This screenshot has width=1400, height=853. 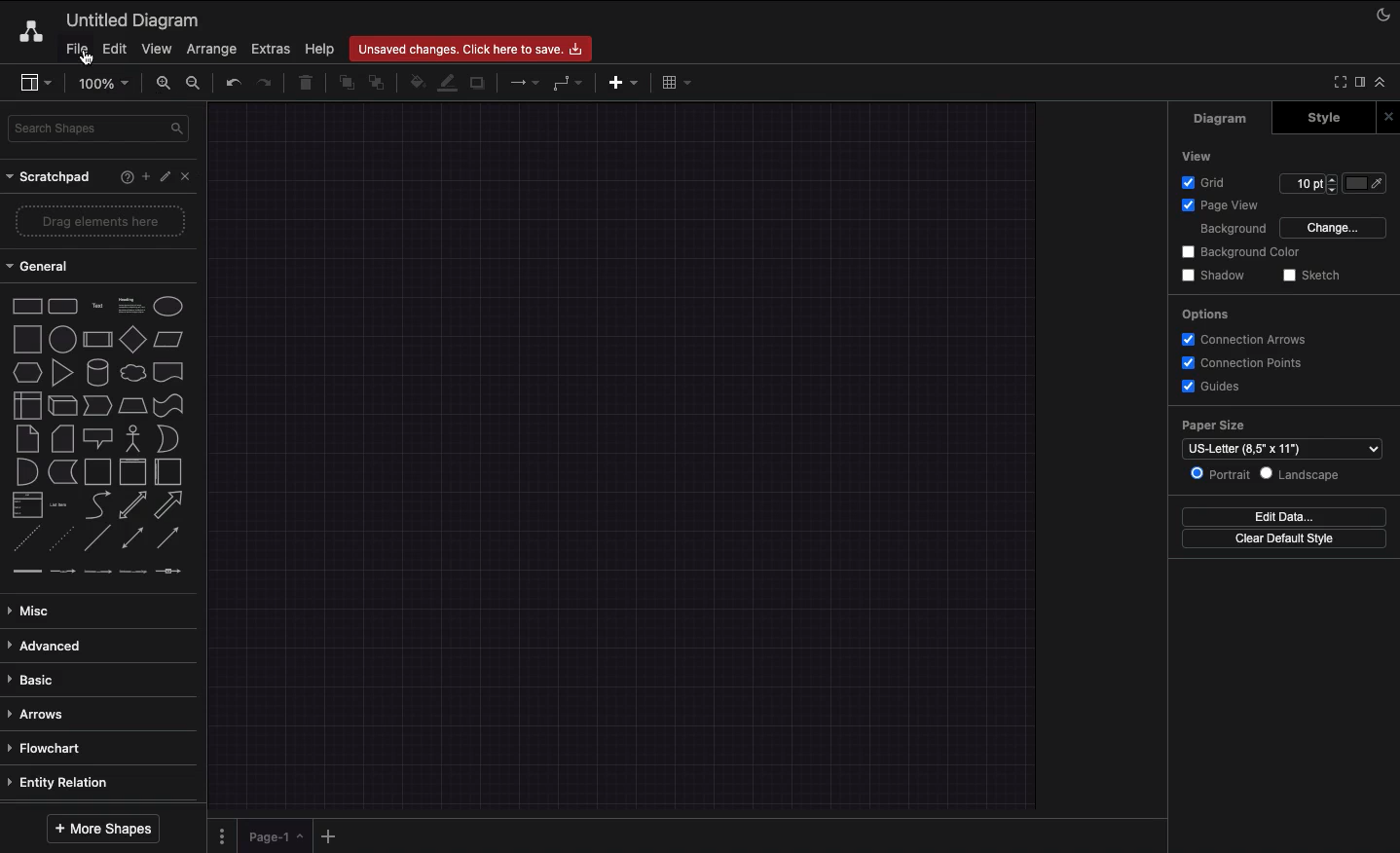 What do you see at coordinates (1198, 155) in the screenshot?
I see `View` at bounding box center [1198, 155].